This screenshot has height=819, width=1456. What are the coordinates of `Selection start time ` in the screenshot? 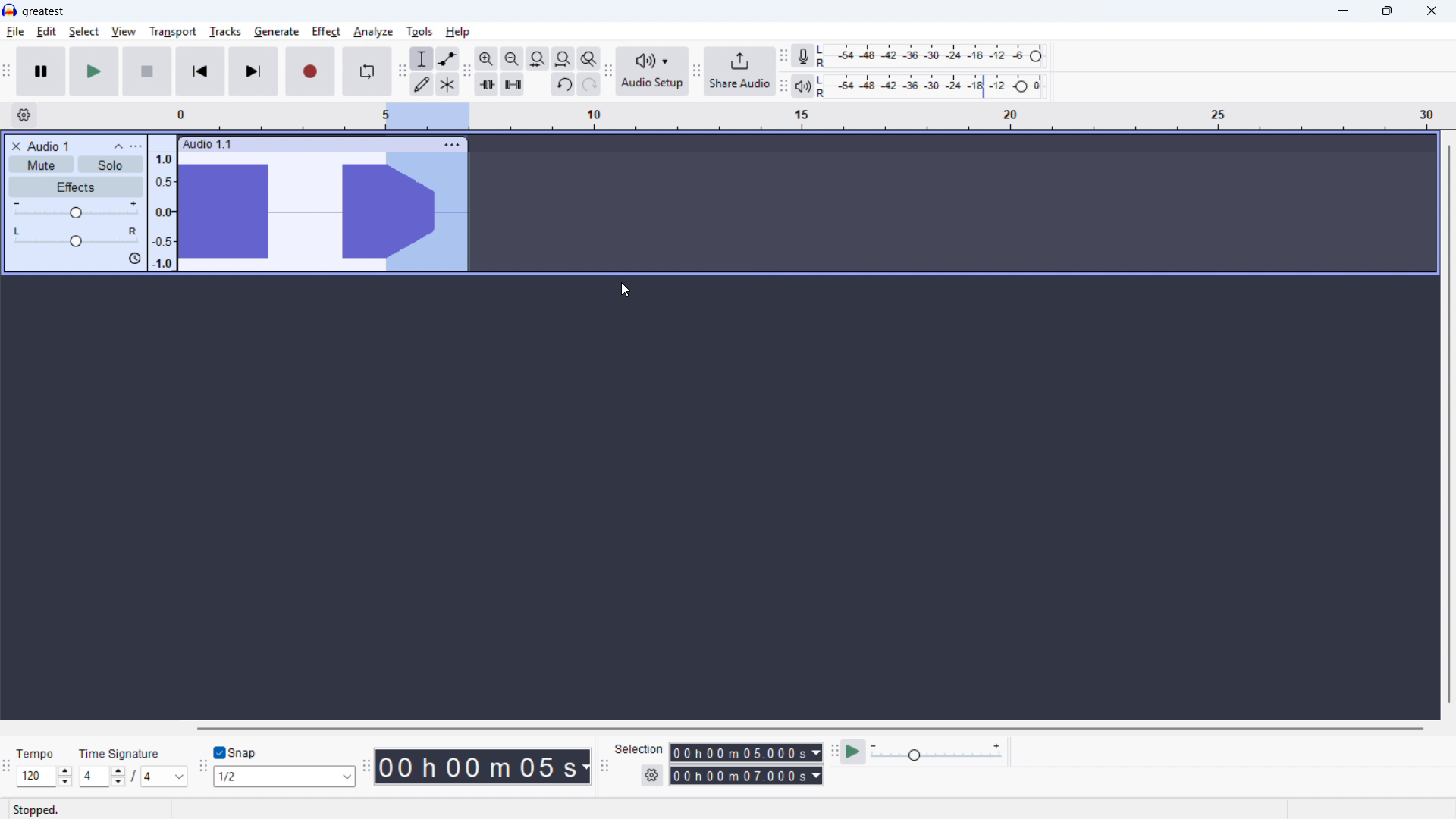 It's located at (747, 752).